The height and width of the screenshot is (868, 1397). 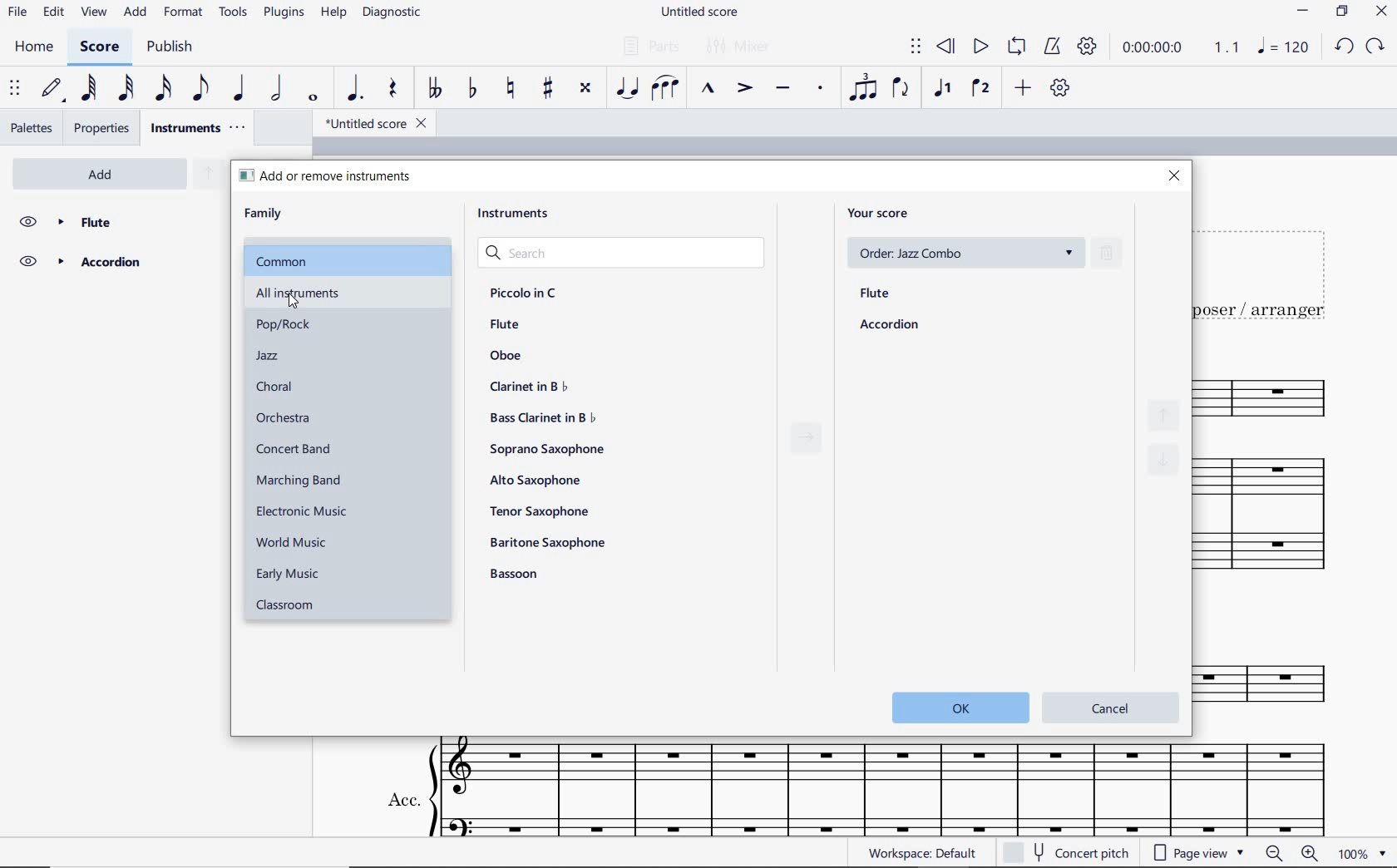 What do you see at coordinates (1228, 47) in the screenshot?
I see `Playback speed` at bounding box center [1228, 47].